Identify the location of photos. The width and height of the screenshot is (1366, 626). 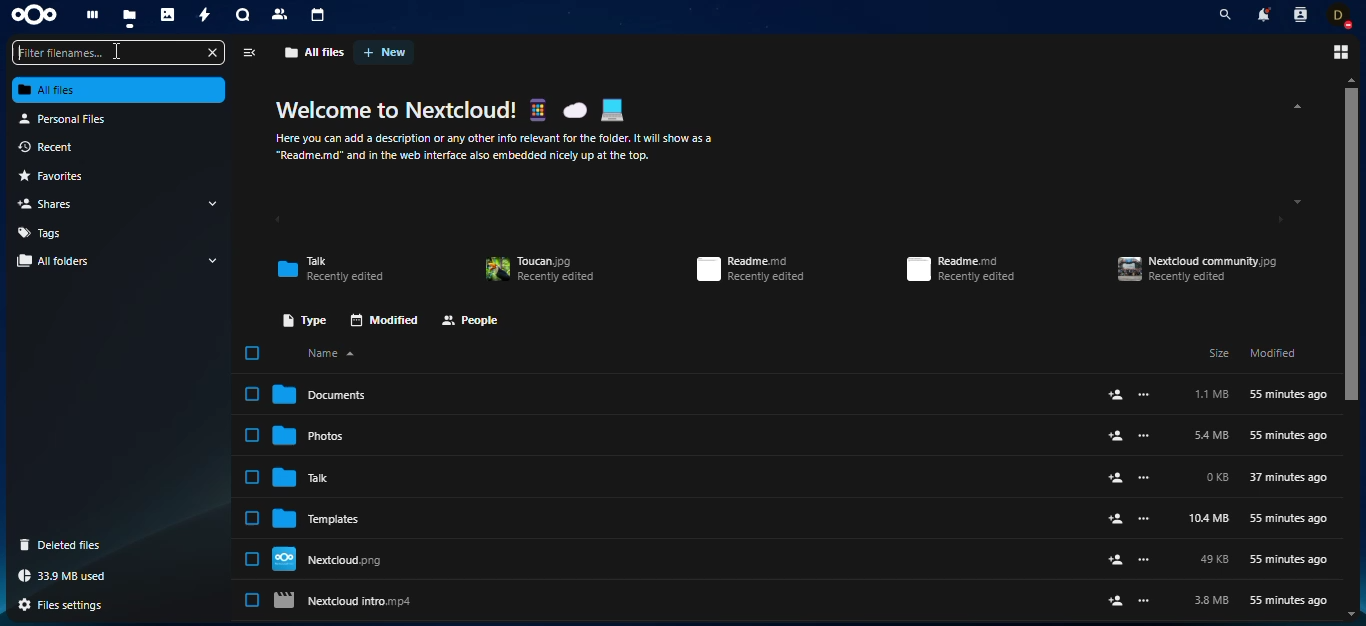
(169, 17).